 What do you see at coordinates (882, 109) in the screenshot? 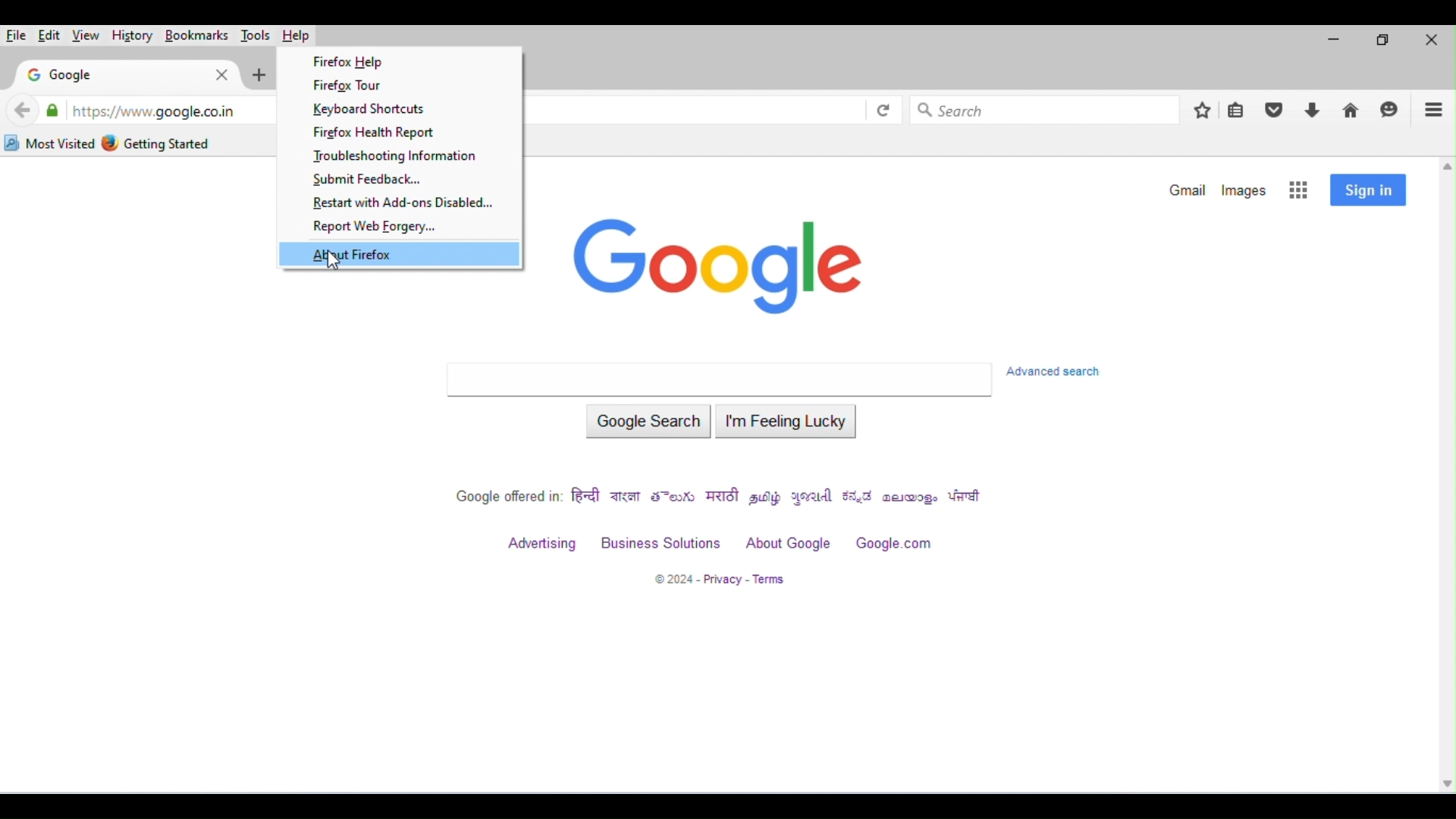
I see `refresh` at bounding box center [882, 109].